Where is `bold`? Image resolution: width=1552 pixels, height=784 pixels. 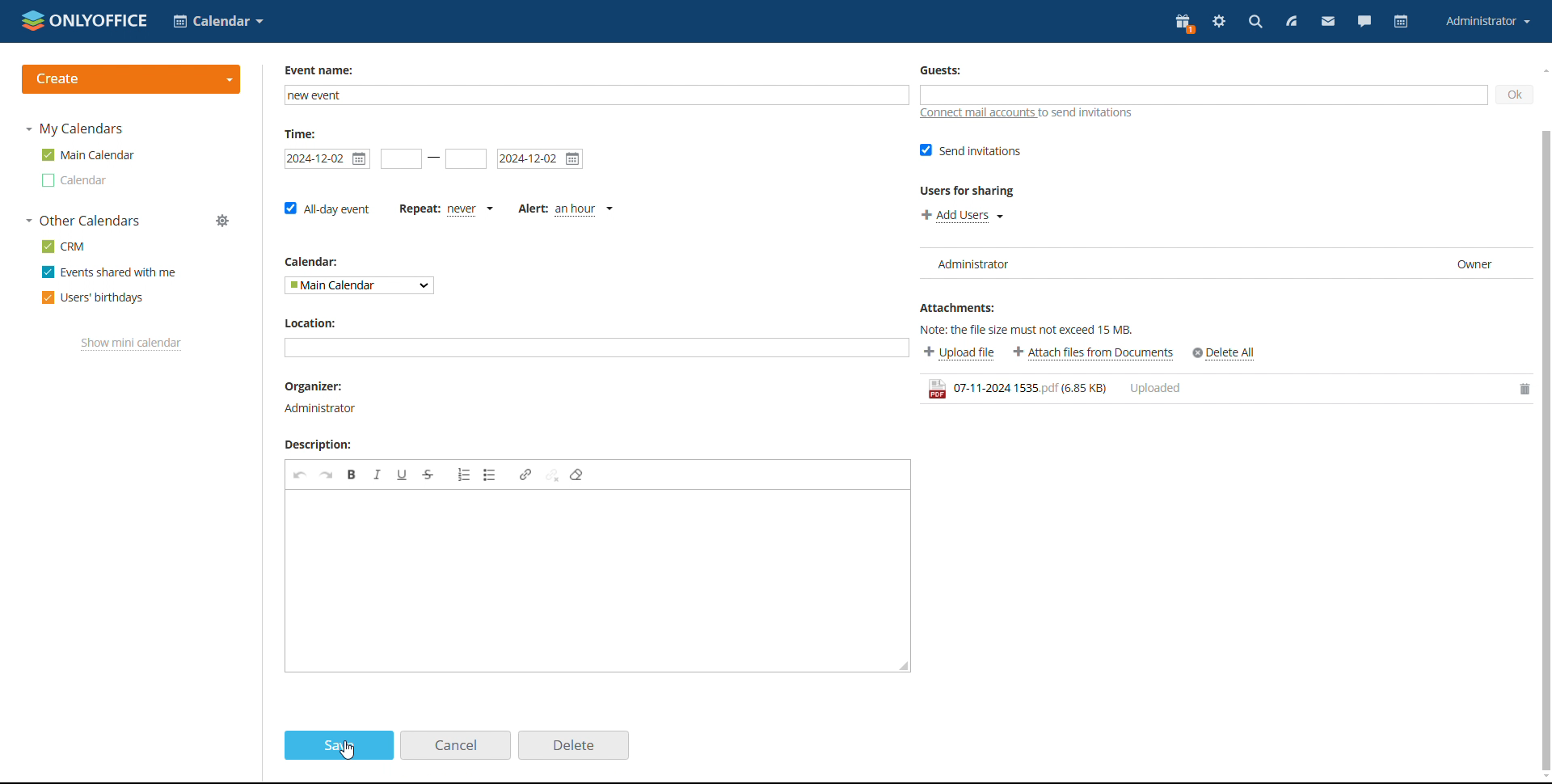
bold is located at coordinates (352, 472).